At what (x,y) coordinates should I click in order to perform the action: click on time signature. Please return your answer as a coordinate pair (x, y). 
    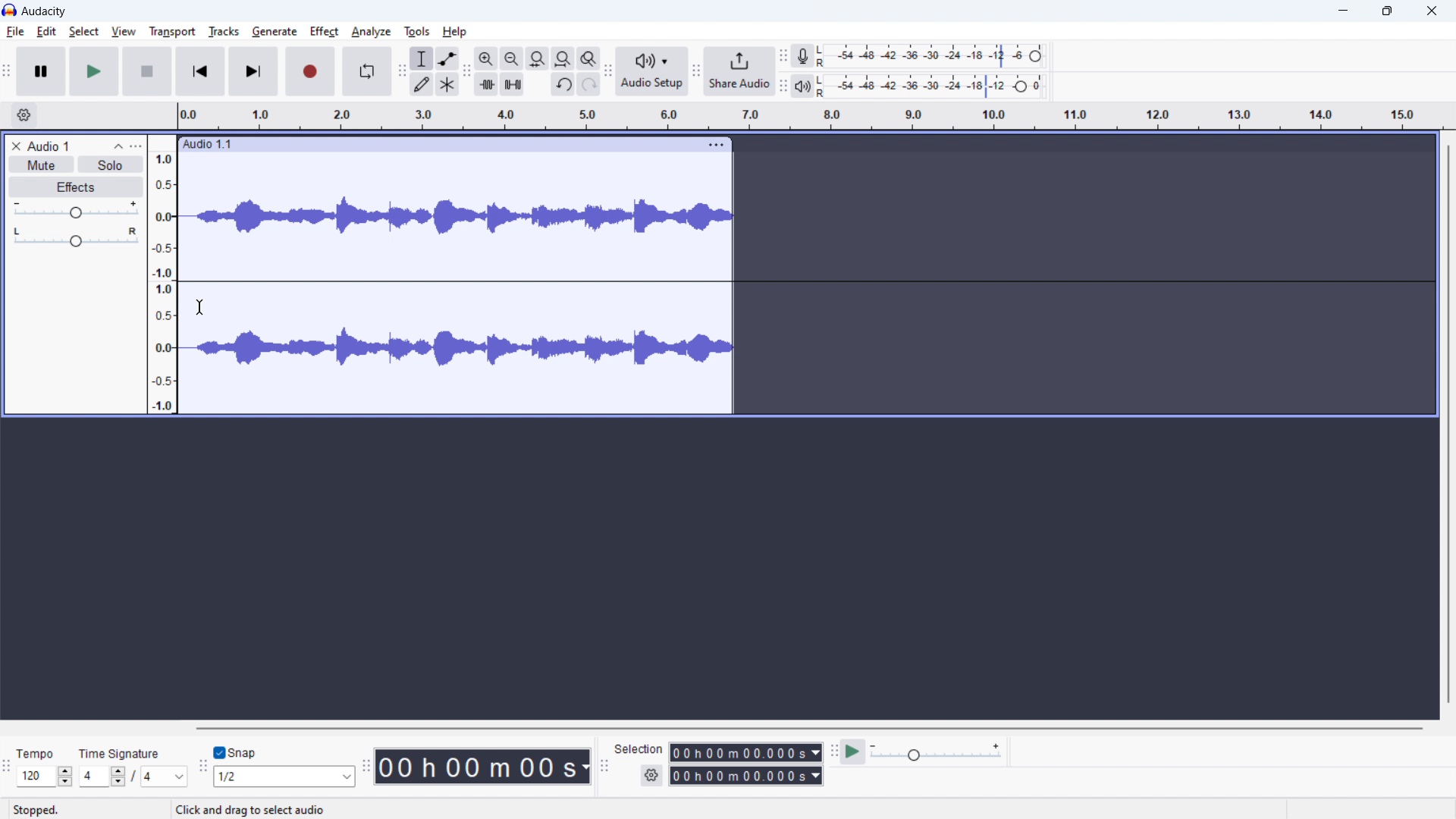
    Looking at the image, I should click on (119, 753).